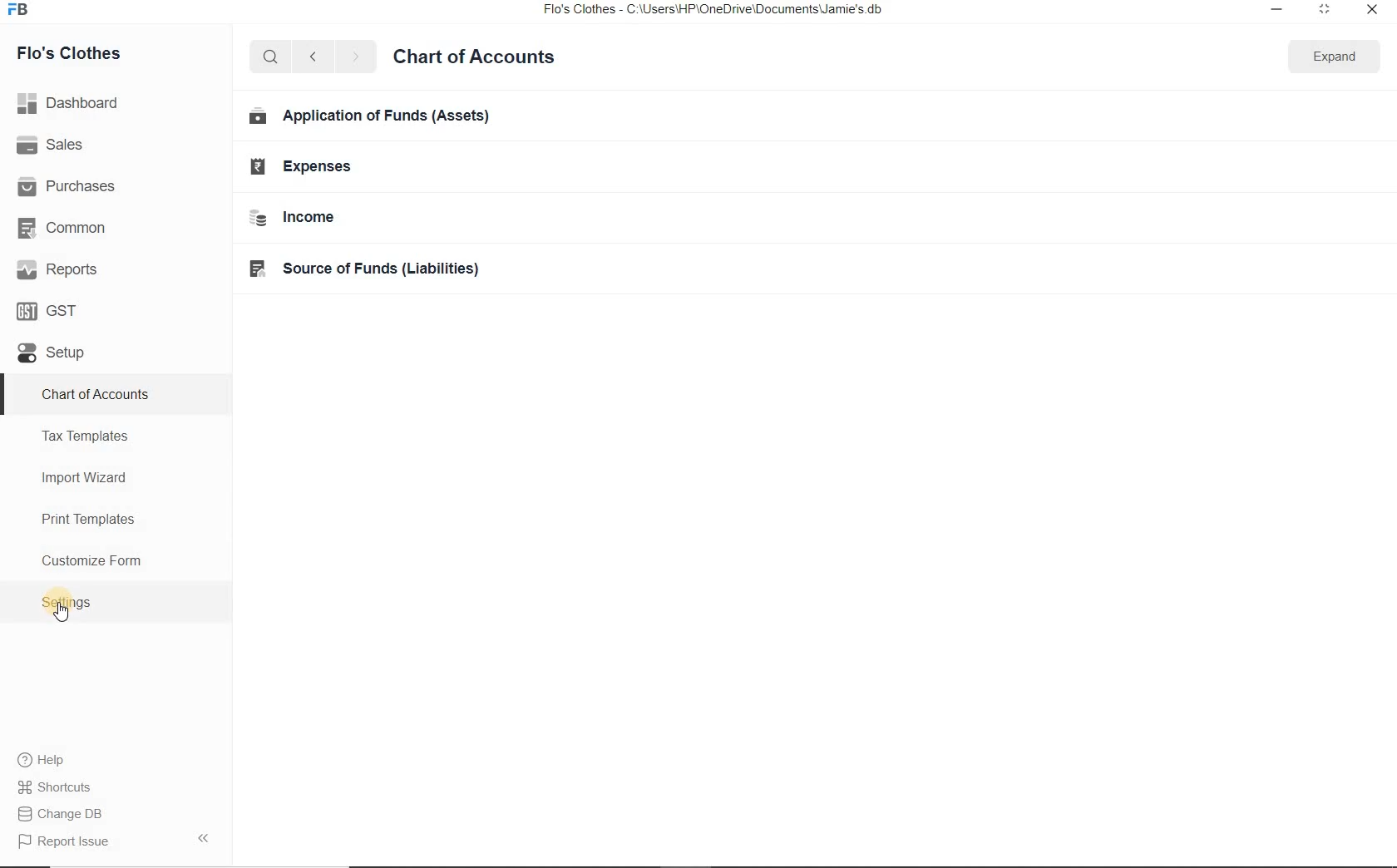 This screenshot has height=868, width=1397. I want to click on Customize Form, so click(93, 559).